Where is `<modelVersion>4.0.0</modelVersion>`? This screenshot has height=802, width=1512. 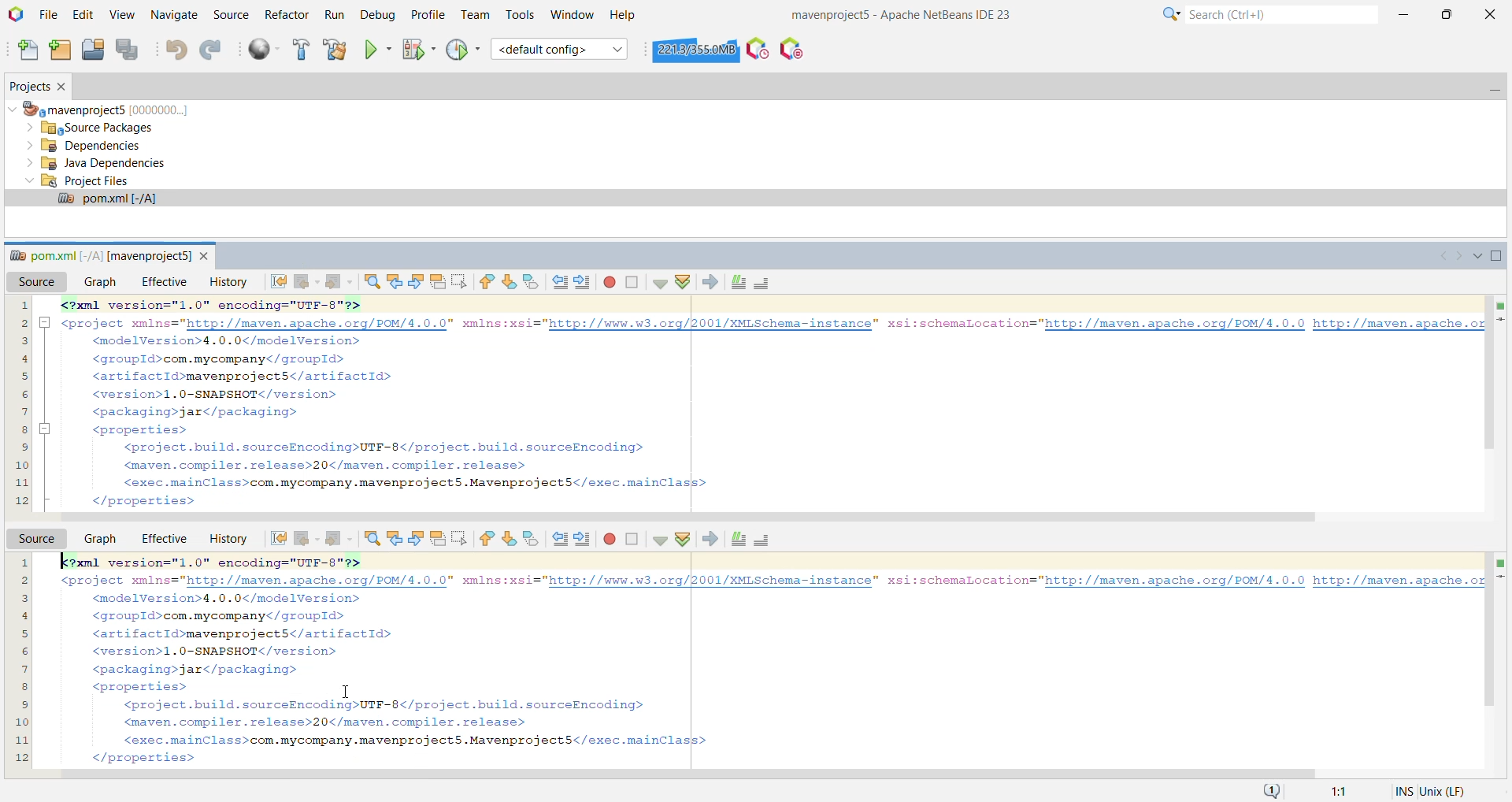 <modelVersion>4.0.0</modelVersion> is located at coordinates (235, 341).